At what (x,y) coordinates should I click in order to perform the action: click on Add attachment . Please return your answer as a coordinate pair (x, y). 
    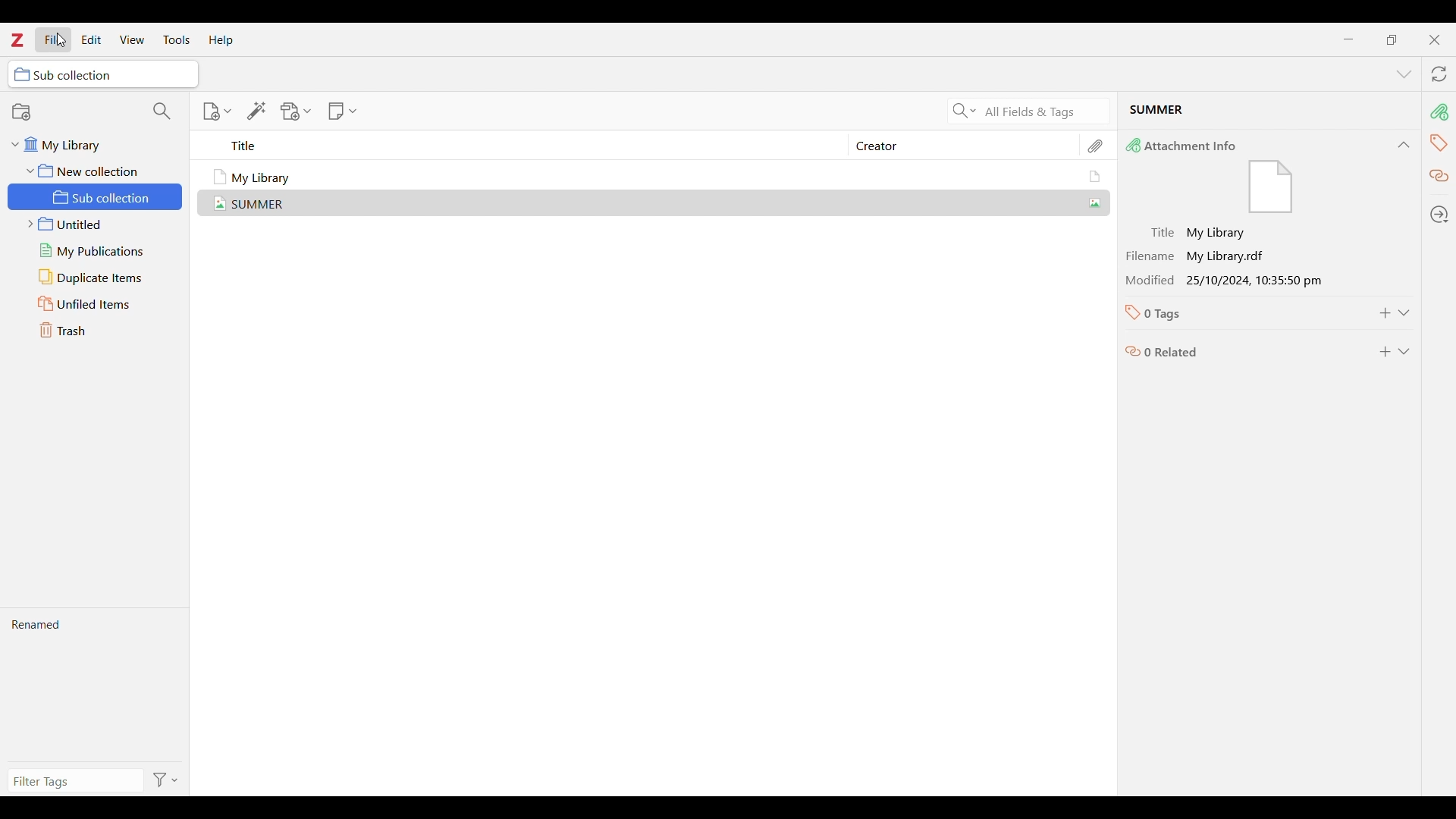
    Looking at the image, I should click on (297, 111).